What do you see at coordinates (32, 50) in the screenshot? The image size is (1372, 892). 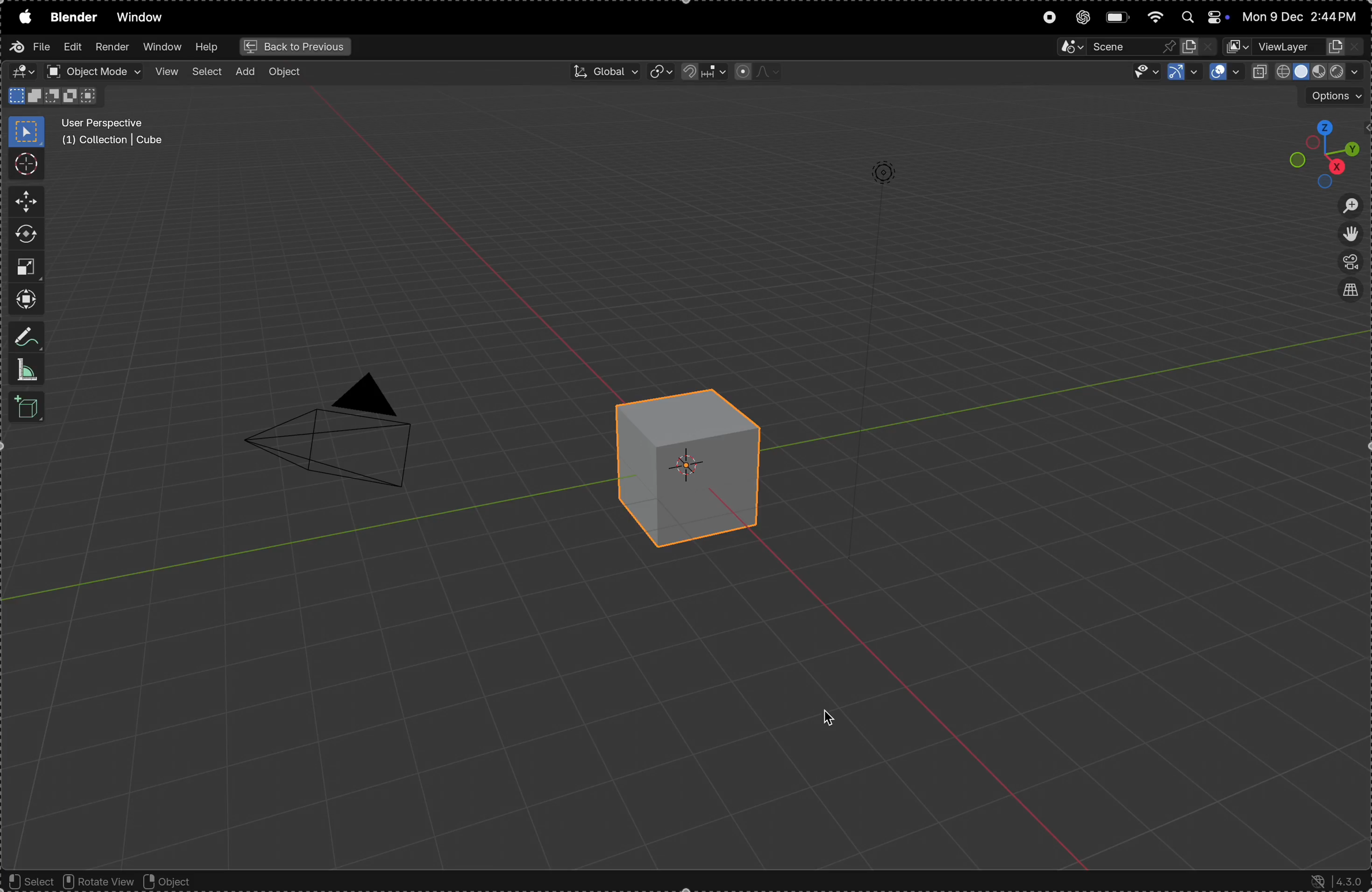 I see `file` at bounding box center [32, 50].